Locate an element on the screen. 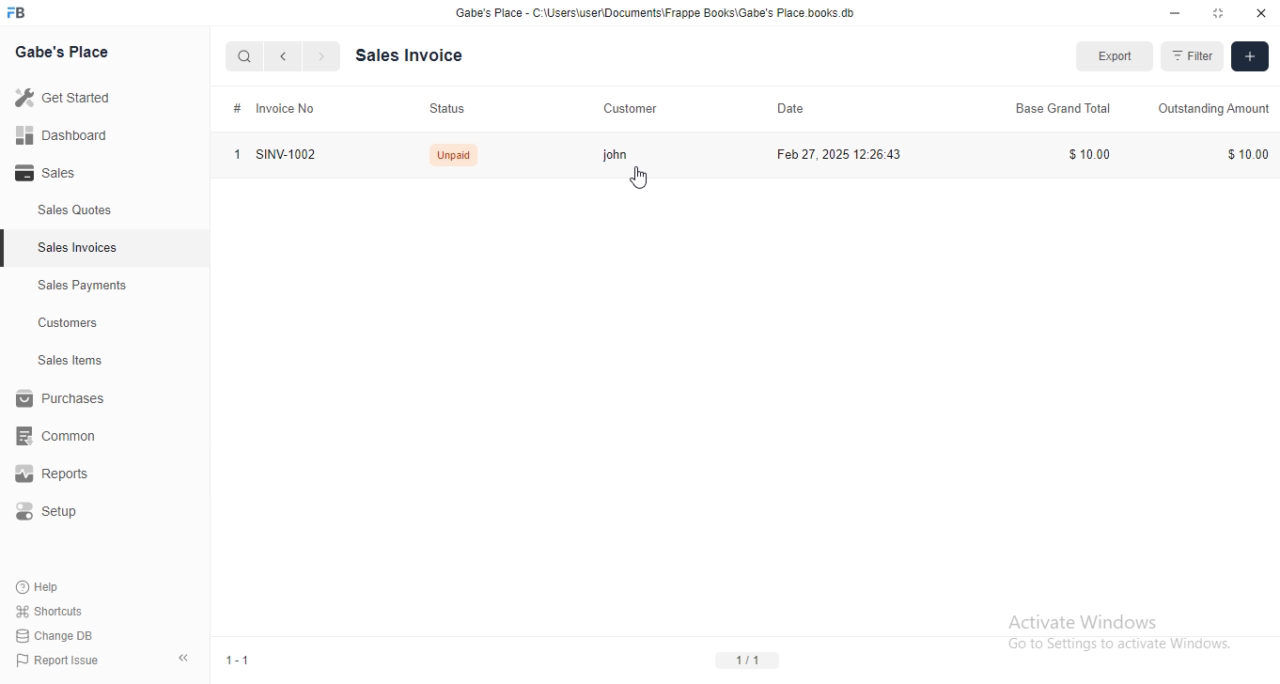 The width and height of the screenshot is (1280, 684). next is located at coordinates (322, 56).